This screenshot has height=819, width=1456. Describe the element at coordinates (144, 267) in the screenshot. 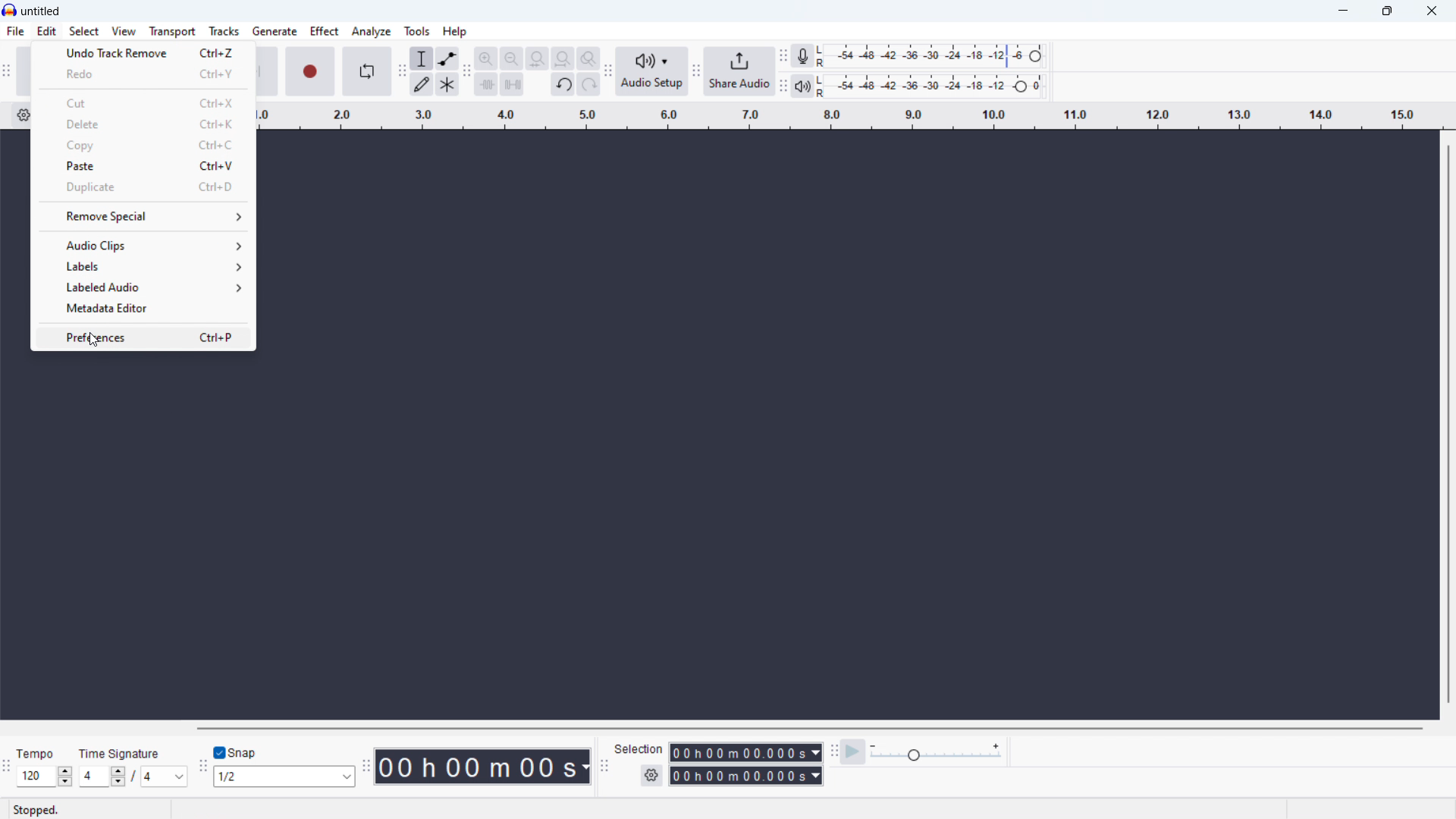

I see `labels` at that location.